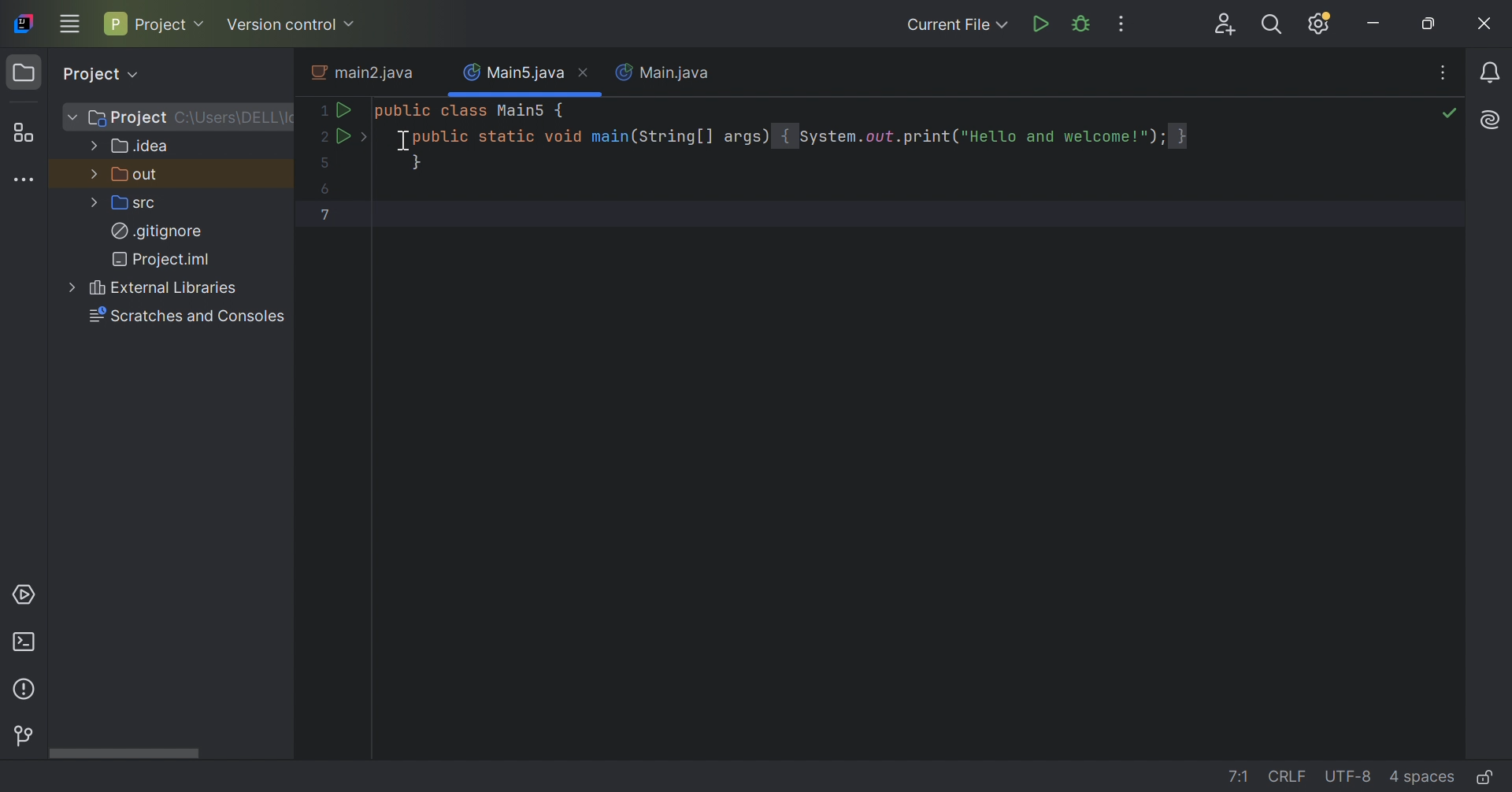 This screenshot has height=792, width=1512. What do you see at coordinates (958, 26) in the screenshot?
I see `Current File` at bounding box center [958, 26].